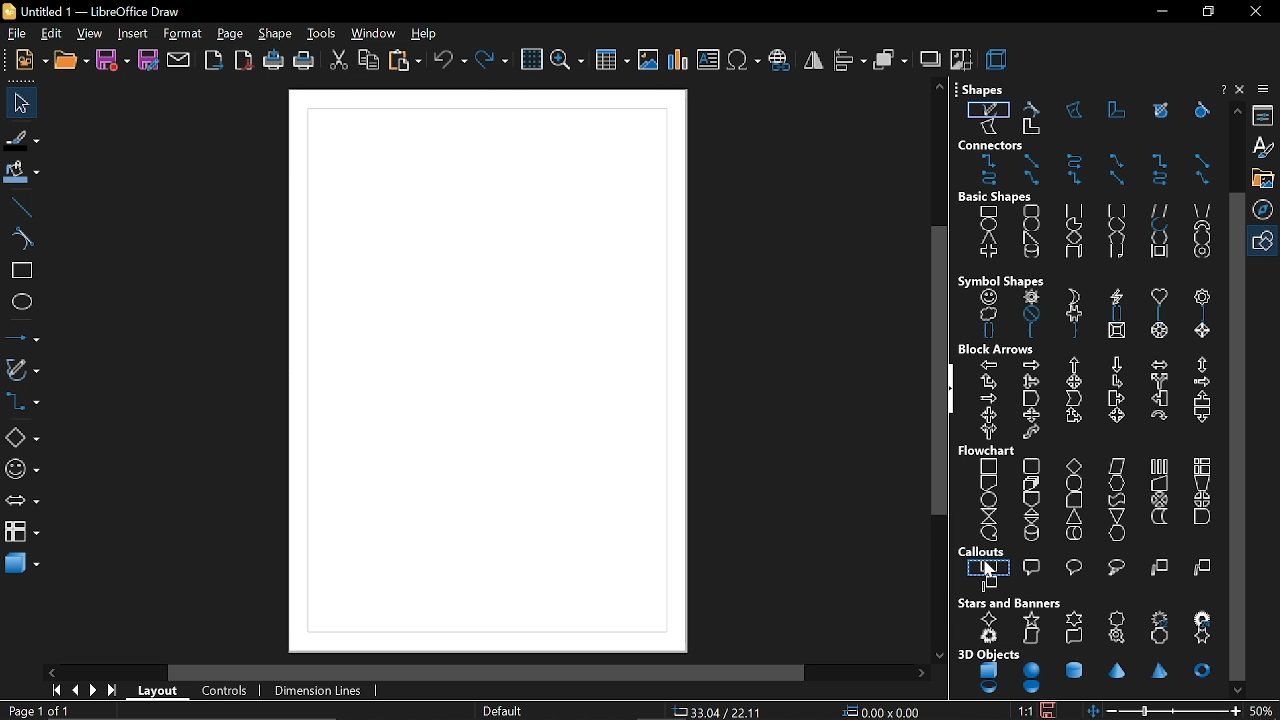 This screenshot has height=720, width=1280. What do you see at coordinates (1031, 400) in the screenshot?
I see `pentagon` at bounding box center [1031, 400].